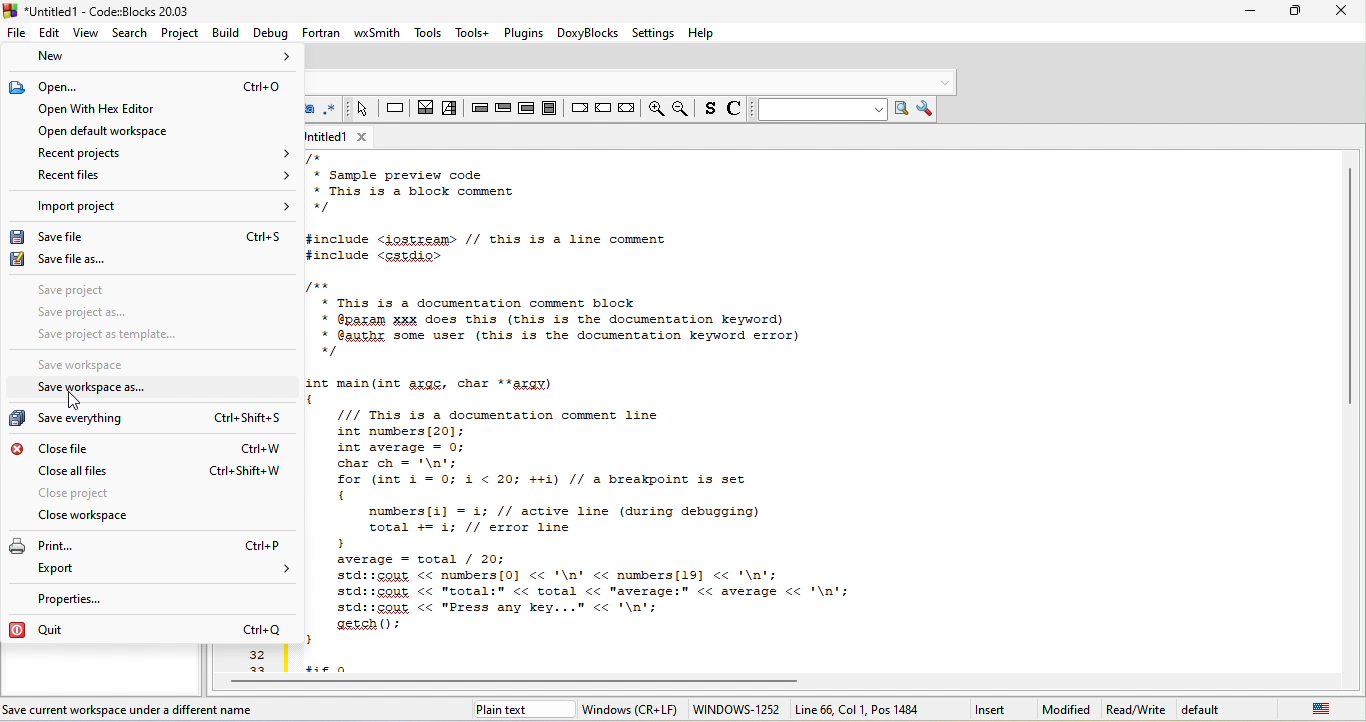 The height and width of the screenshot is (722, 1366). I want to click on counting loop, so click(525, 108).